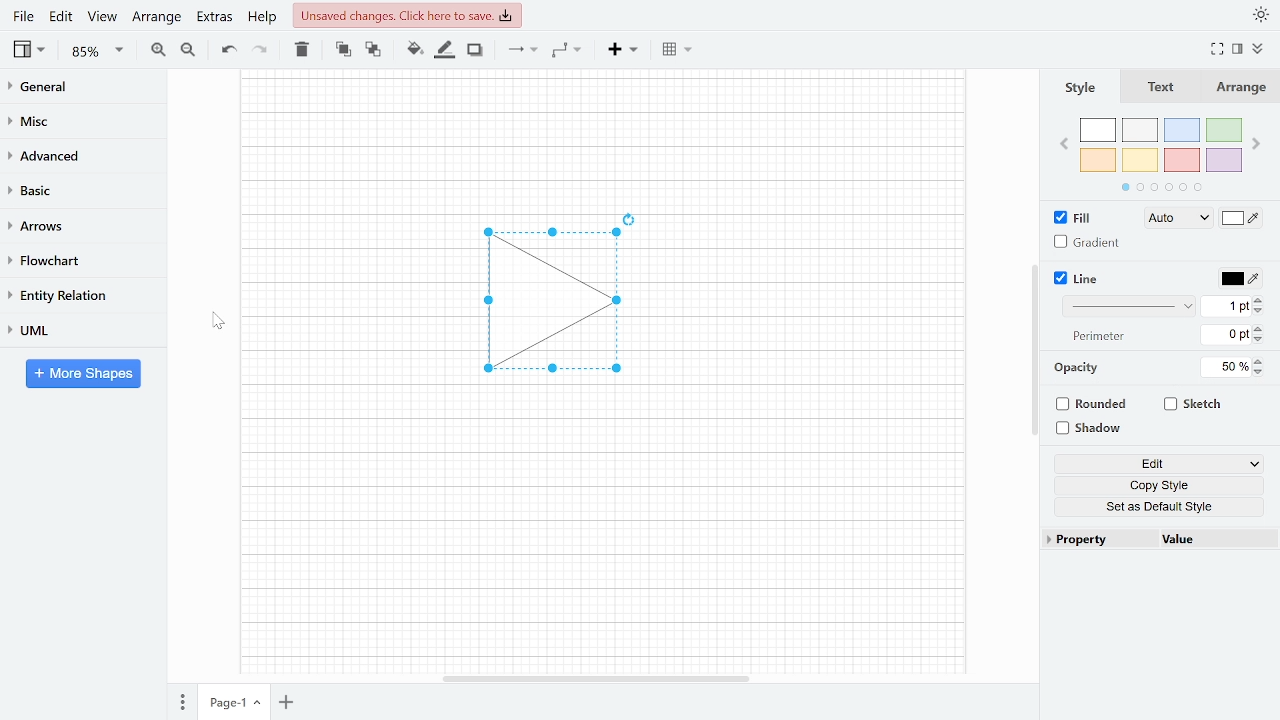 This screenshot has height=720, width=1280. What do you see at coordinates (1094, 406) in the screenshot?
I see `Rounded` at bounding box center [1094, 406].